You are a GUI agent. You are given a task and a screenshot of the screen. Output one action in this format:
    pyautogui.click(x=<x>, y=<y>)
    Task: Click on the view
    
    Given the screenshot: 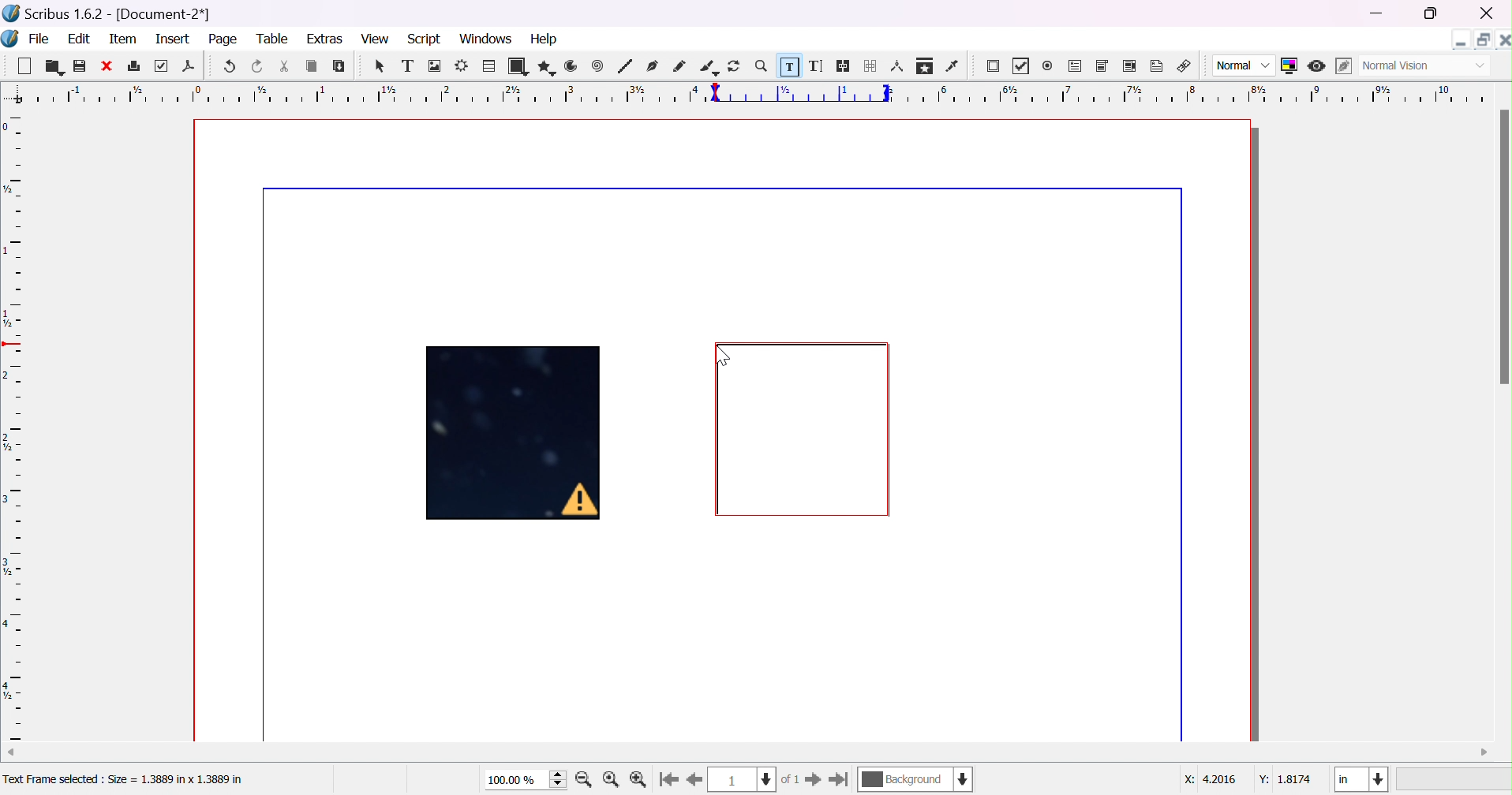 What is the action you would take?
    pyautogui.click(x=372, y=38)
    